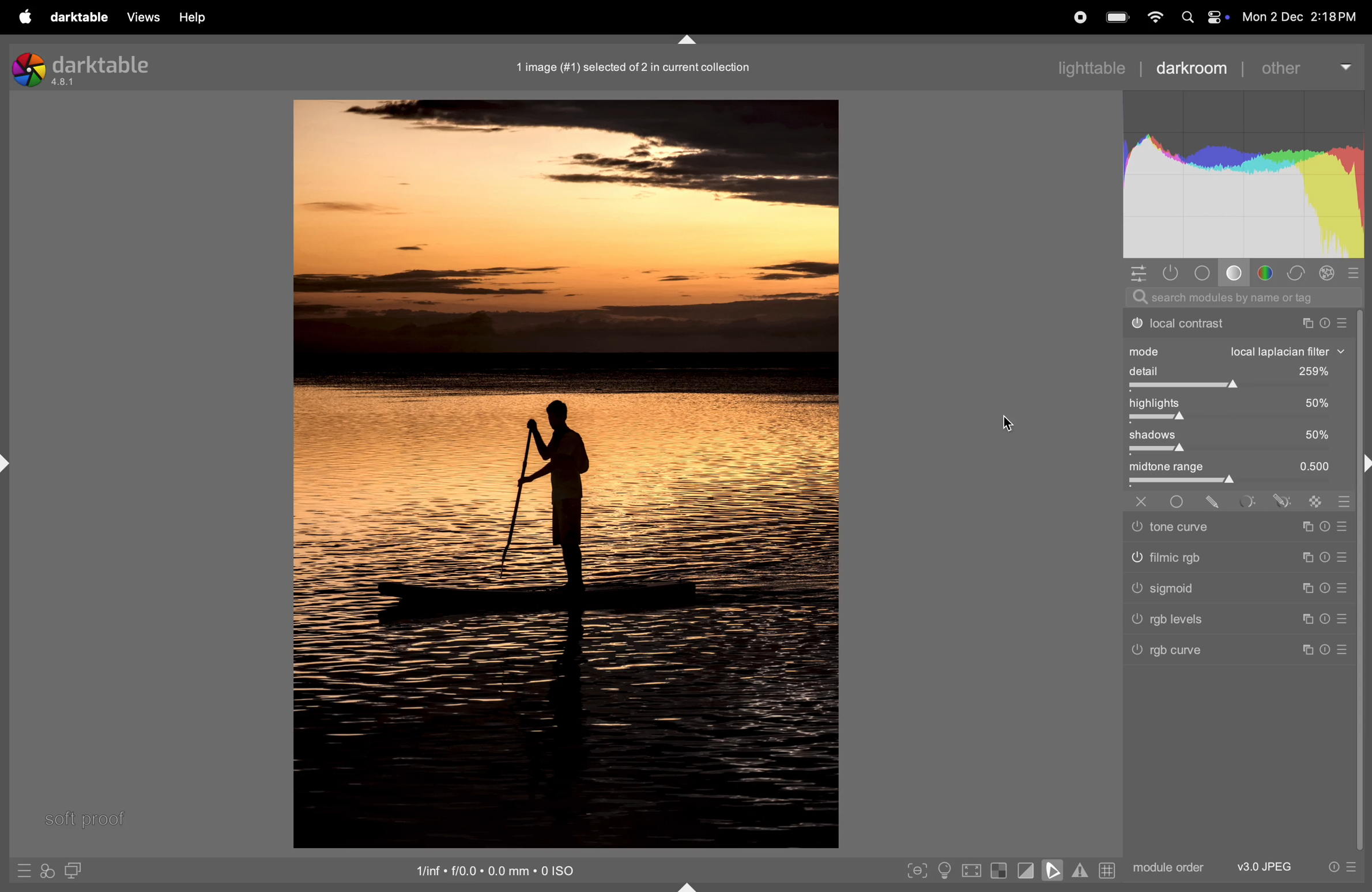 The height and width of the screenshot is (892, 1372). Describe the element at coordinates (916, 870) in the screenshot. I see `toggle peak foucisng mode` at that location.